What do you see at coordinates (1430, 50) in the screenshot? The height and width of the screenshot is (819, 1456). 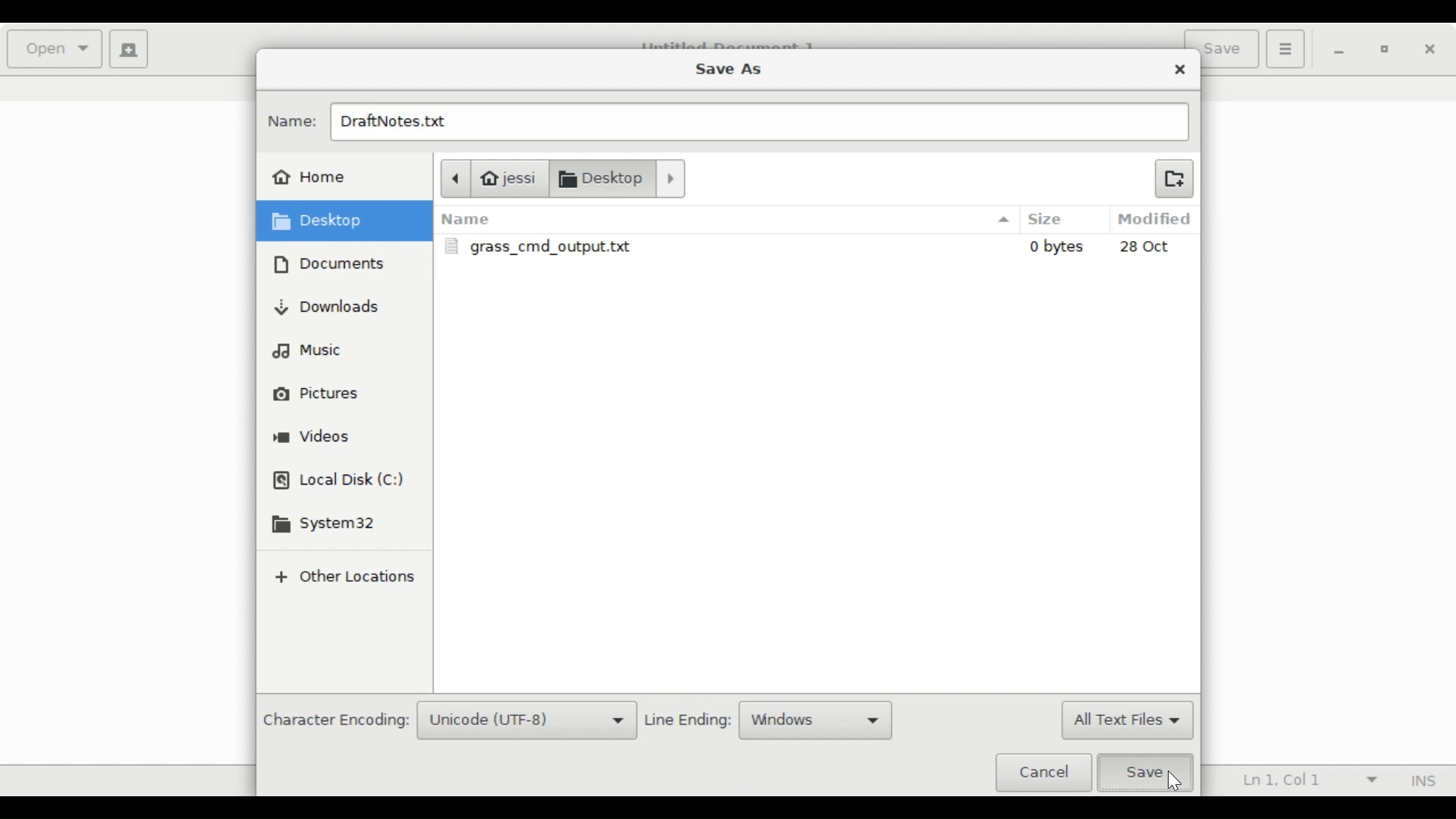 I see `Close` at bounding box center [1430, 50].